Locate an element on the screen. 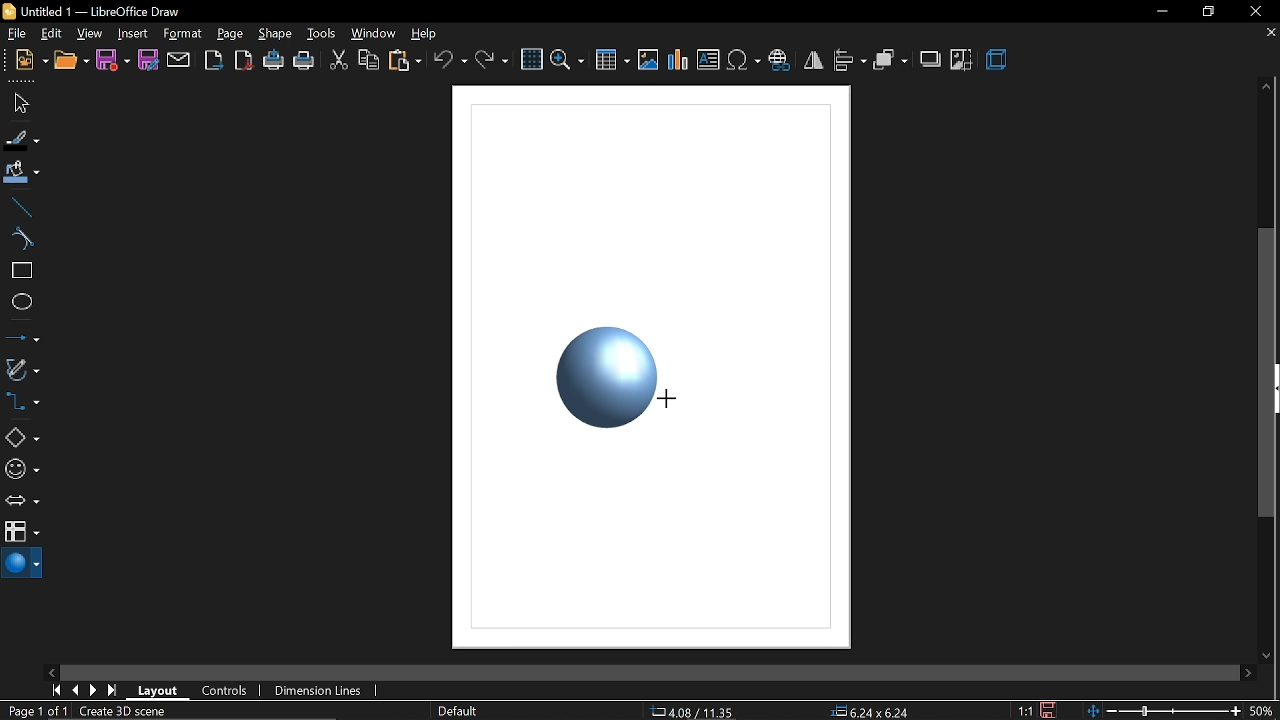 This screenshot has width=1280, height=720. 3d shapes is located at coordinates (22, 565).